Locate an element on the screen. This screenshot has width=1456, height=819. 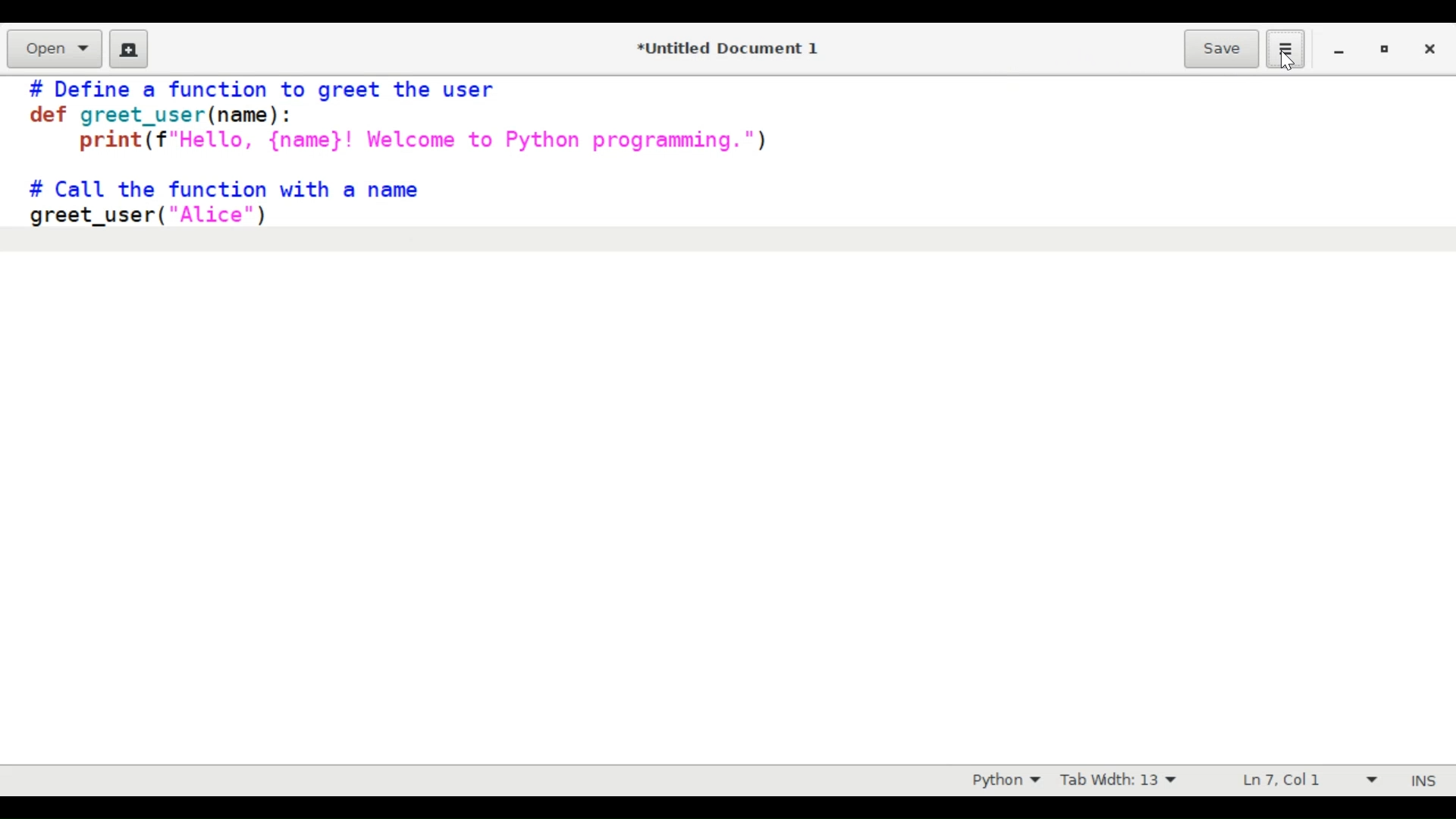
Minimize is located at coordinates (1338, 48).